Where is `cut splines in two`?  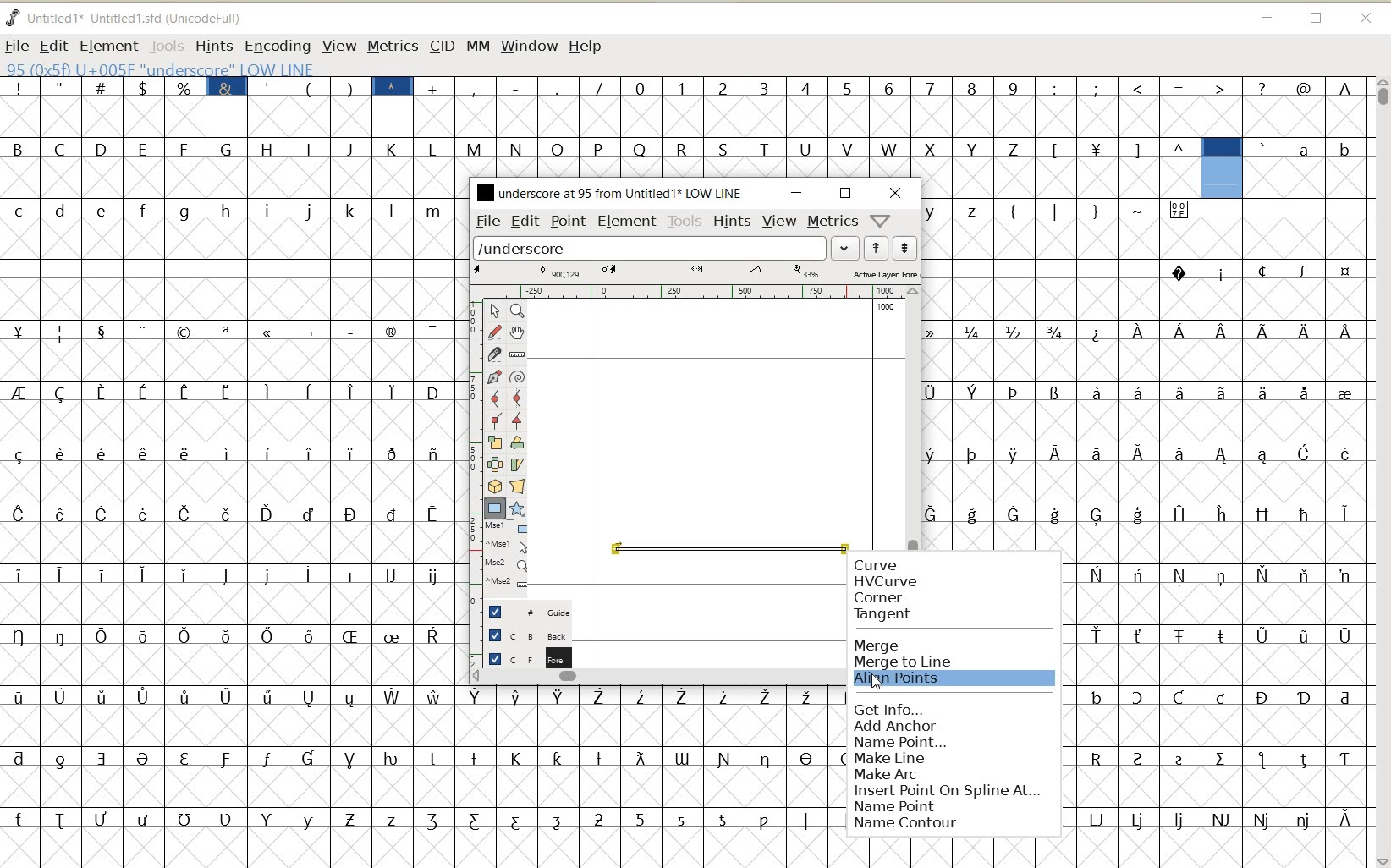 cut splines in two is located at coordinates (492, 354).